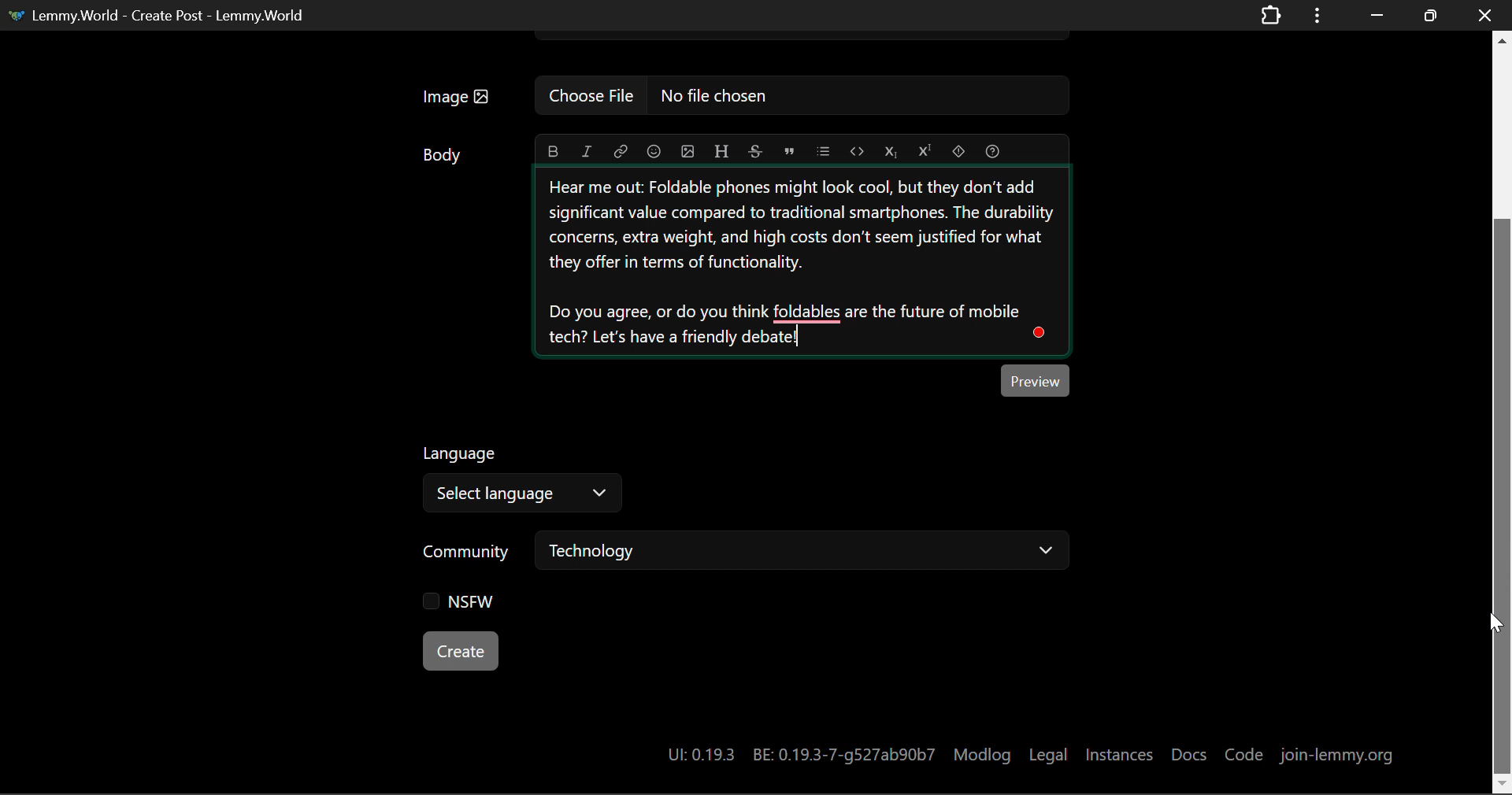  I want to click on Insert Image Field, so click(750, 96).